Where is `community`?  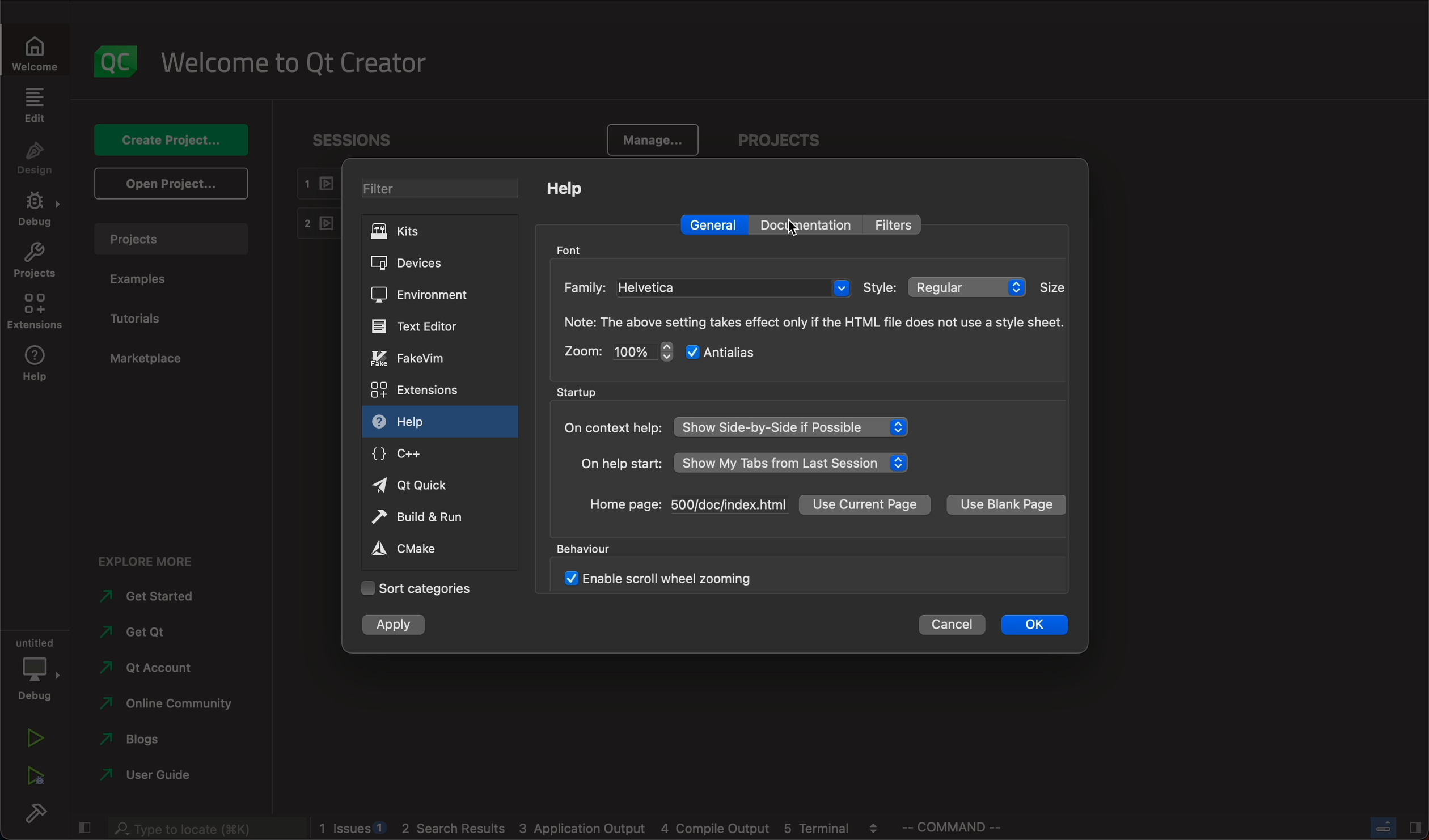 community is located at coordinates (166, 706).